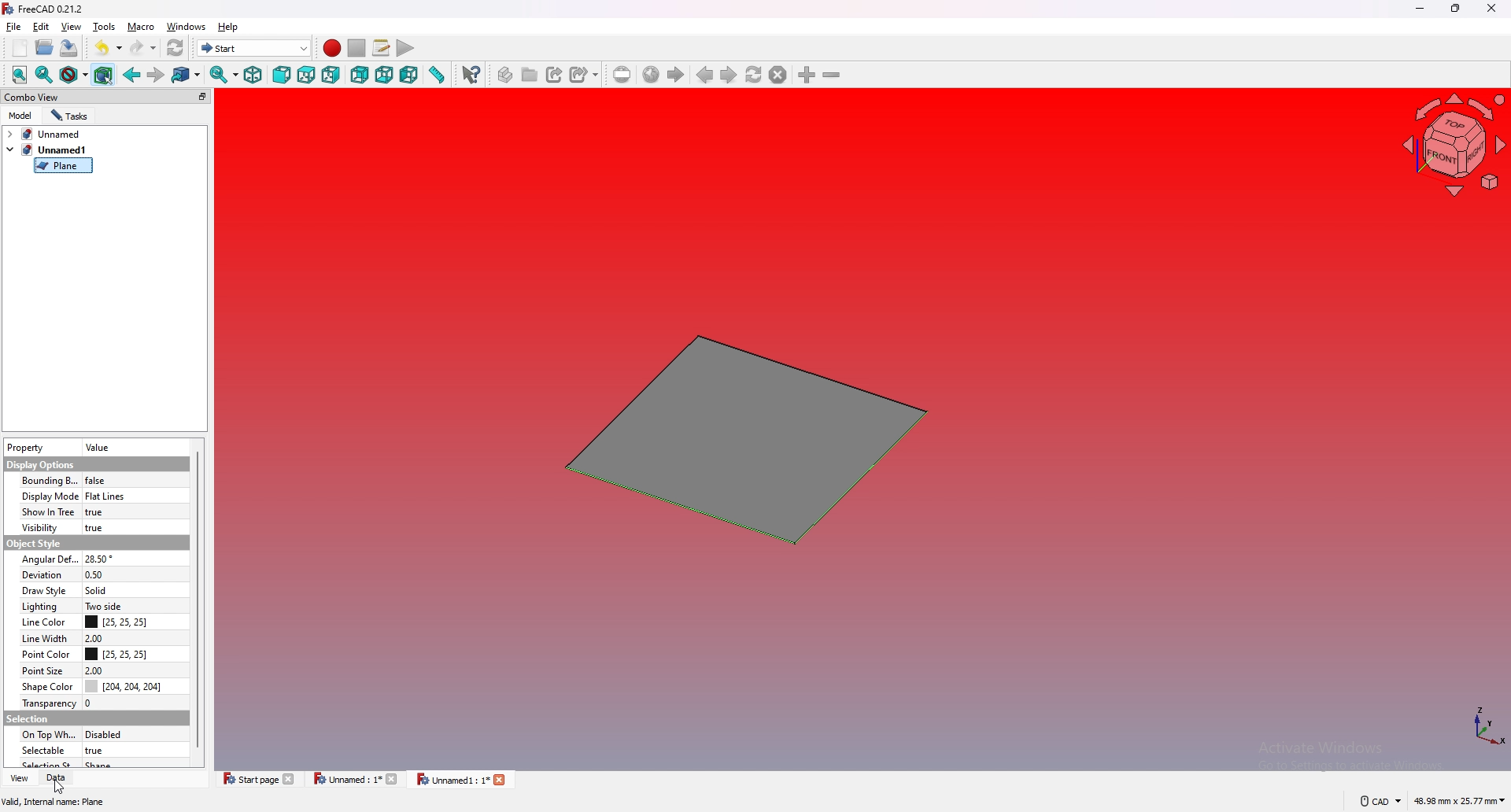  What do you see at coordinates (48, 496) in the screenshot?
I see `display mode` at bounding box center [48, 496].